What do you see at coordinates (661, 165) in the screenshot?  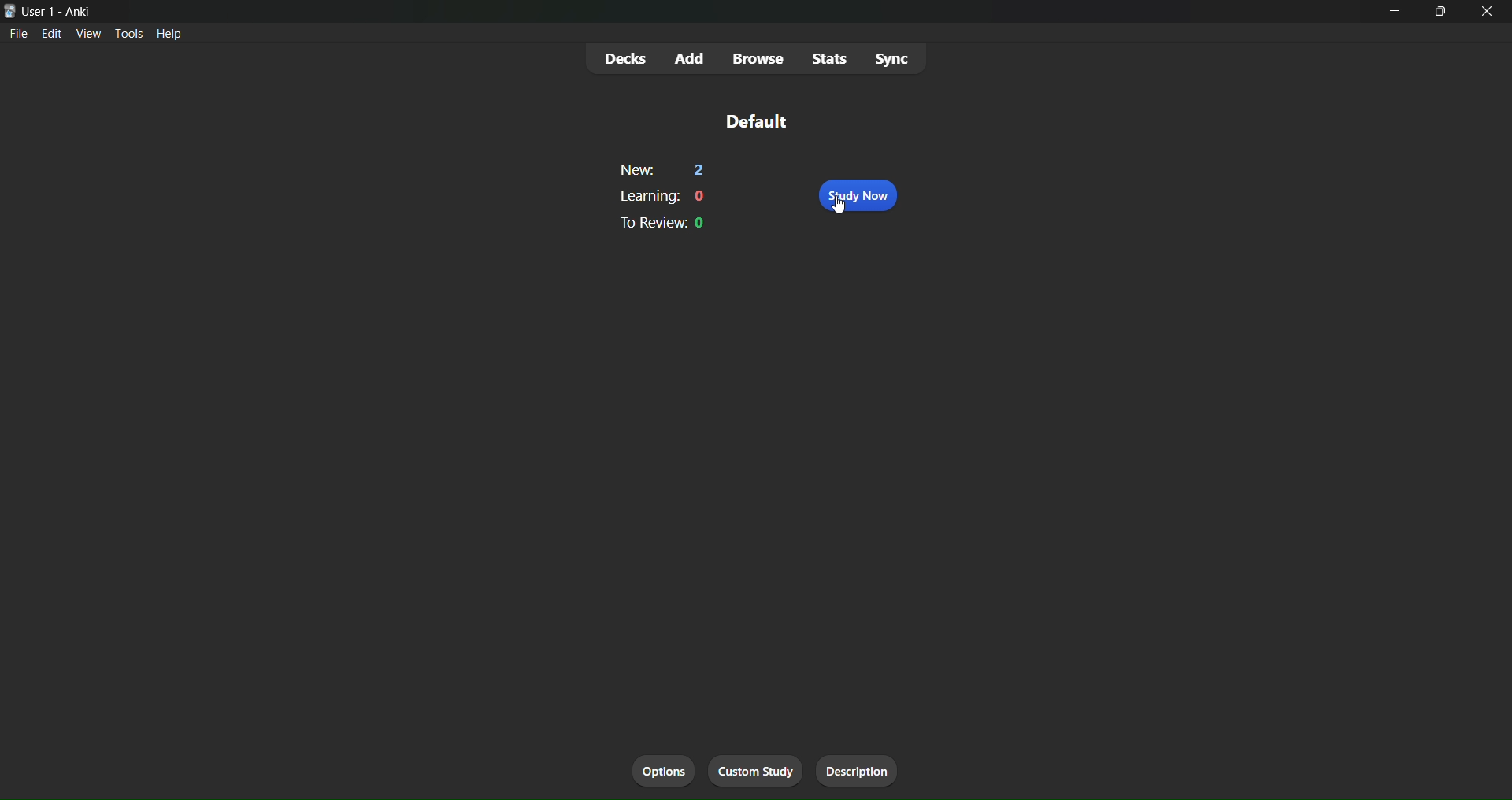 I see `new: 2` at bounding box center [661, 165].